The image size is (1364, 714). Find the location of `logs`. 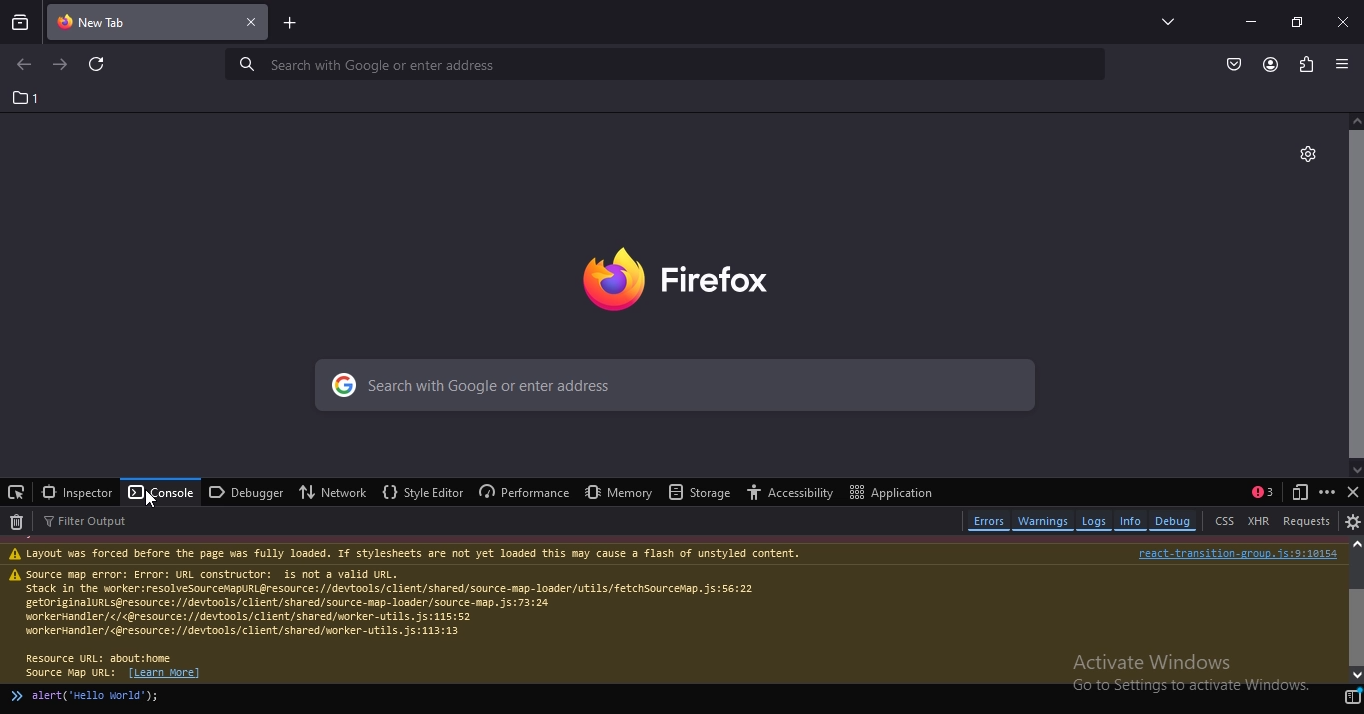

logs is located at coordinates (1095, 521).